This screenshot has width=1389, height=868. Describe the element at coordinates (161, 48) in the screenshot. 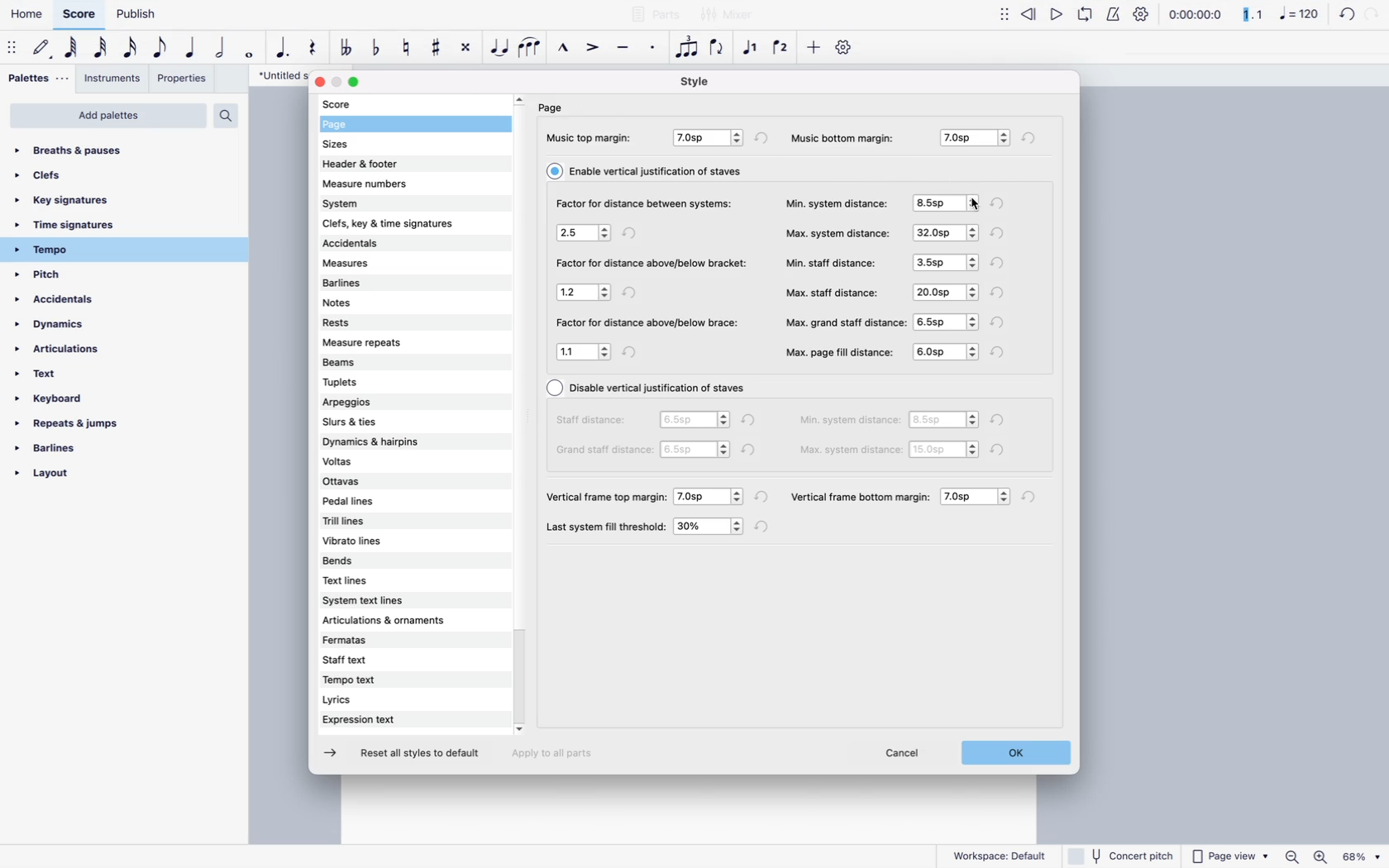

I see `eighth note` at that location.